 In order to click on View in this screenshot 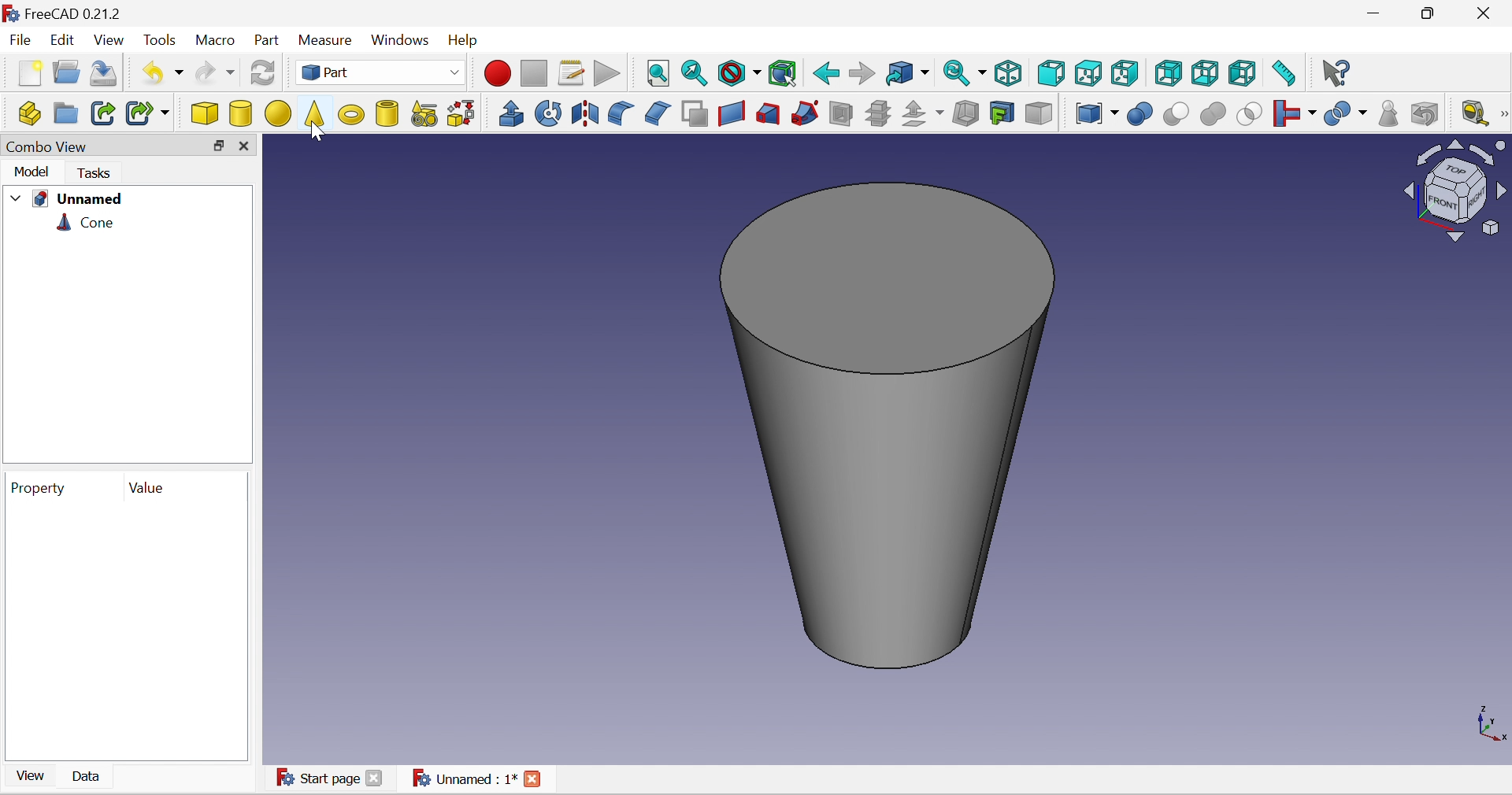, I will do `click(33, 774)`.